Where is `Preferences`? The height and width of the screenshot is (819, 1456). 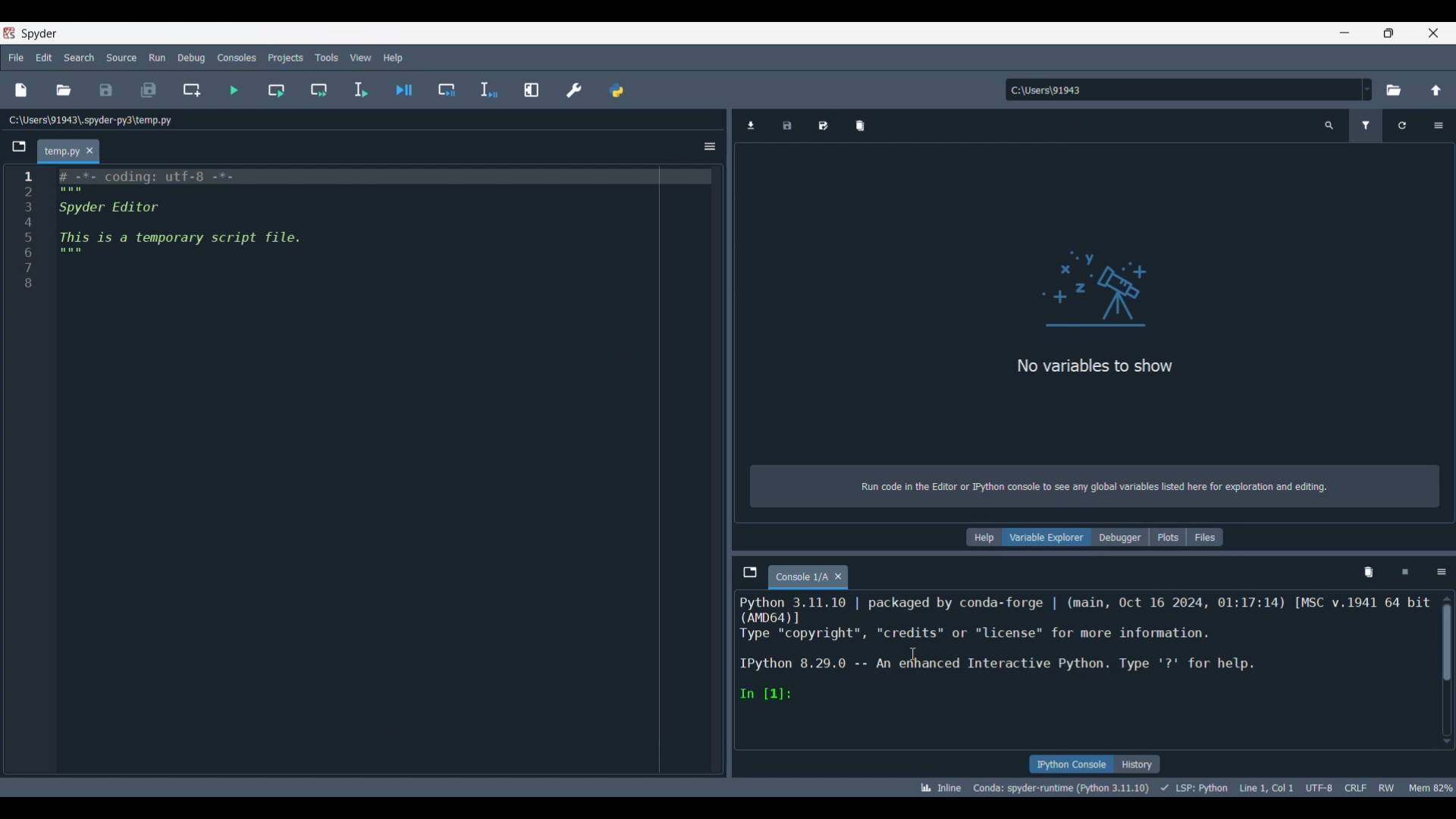
Preferences is located at coordinates (575, 90).